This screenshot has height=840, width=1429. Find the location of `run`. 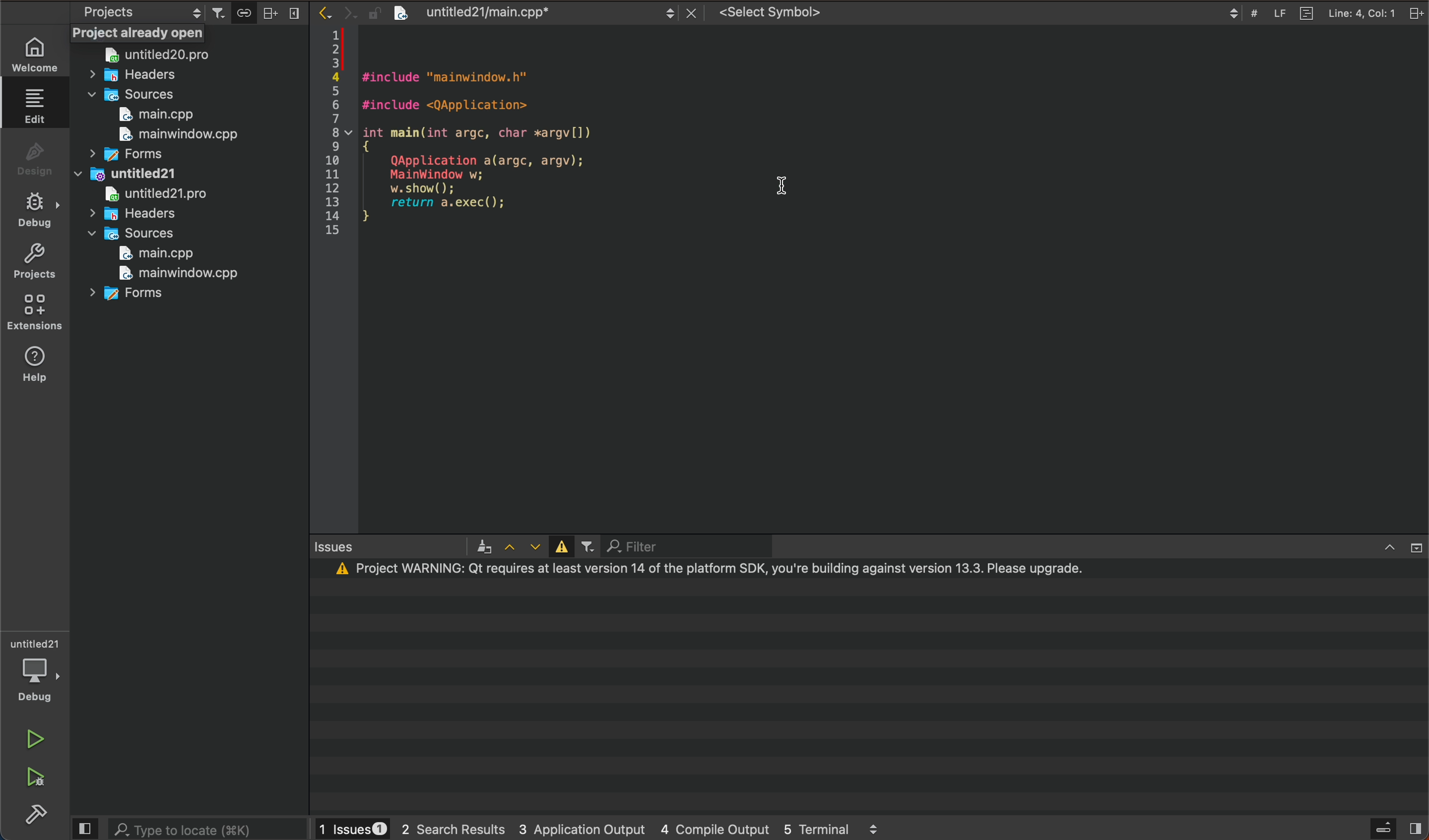

run is located at coordinates (36, 739).